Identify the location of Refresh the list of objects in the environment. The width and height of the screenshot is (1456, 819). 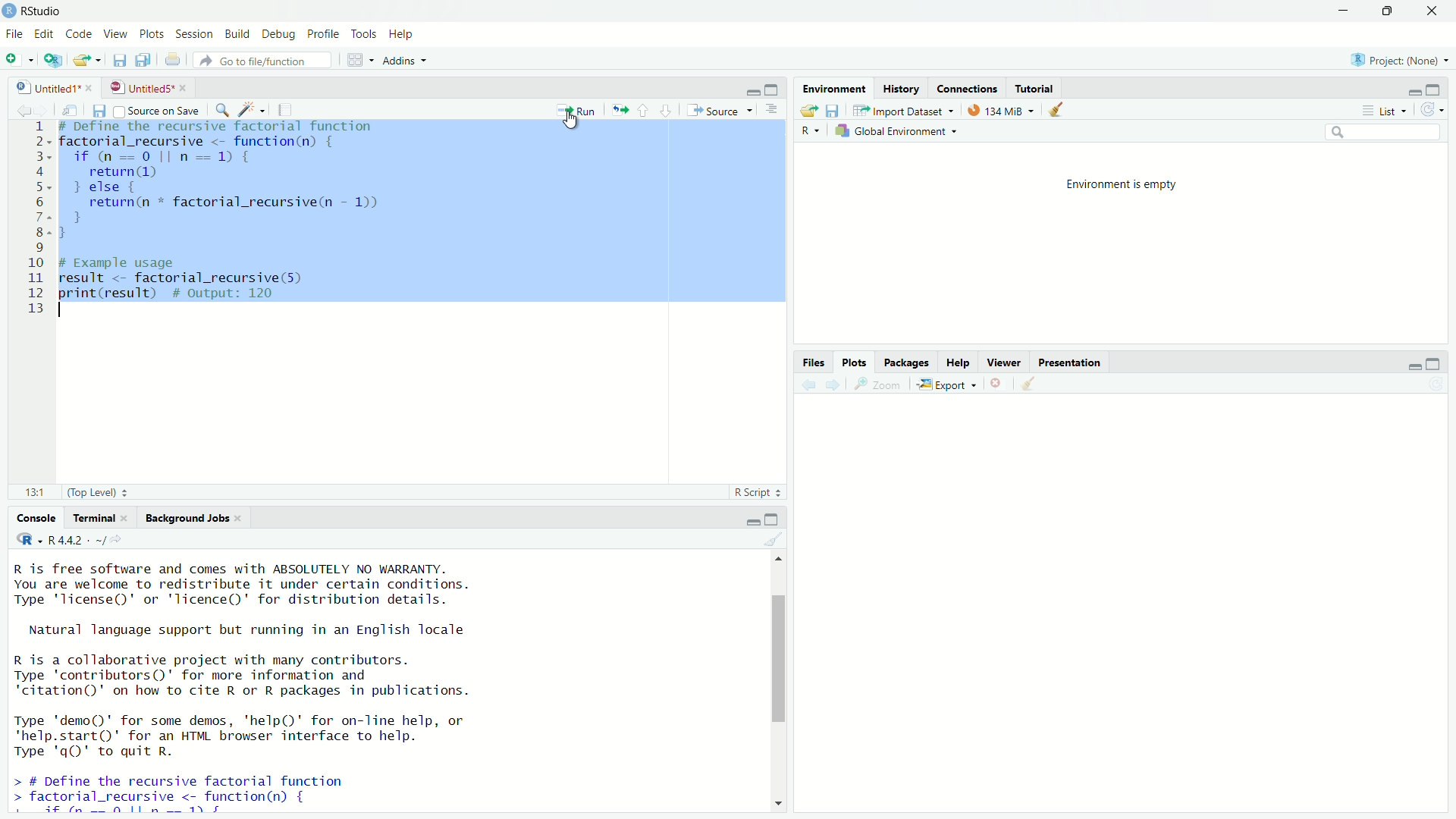
(1432, 111).